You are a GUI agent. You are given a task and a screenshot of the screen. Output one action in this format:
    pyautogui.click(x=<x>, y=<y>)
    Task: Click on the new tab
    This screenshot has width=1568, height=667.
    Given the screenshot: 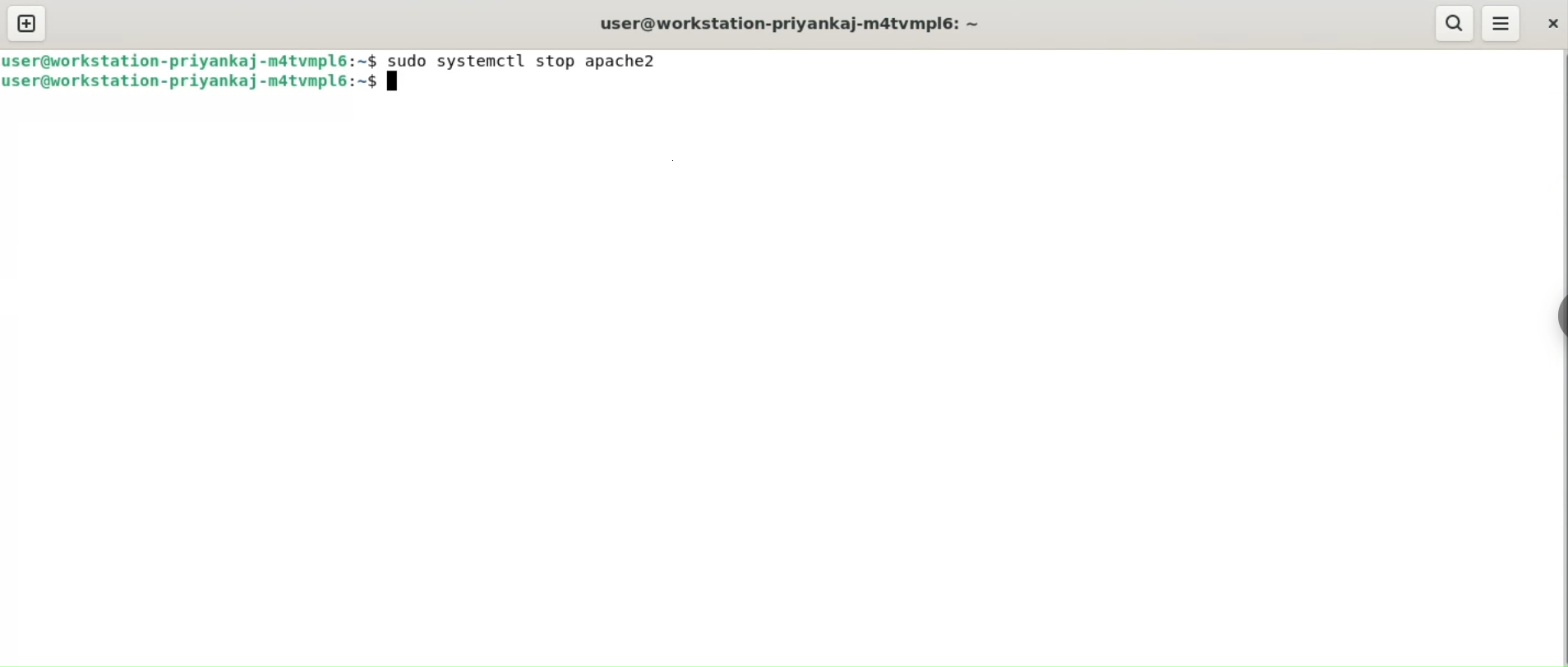 What is the action you would take?
    pyautogui.click(x=27, y=23)
    